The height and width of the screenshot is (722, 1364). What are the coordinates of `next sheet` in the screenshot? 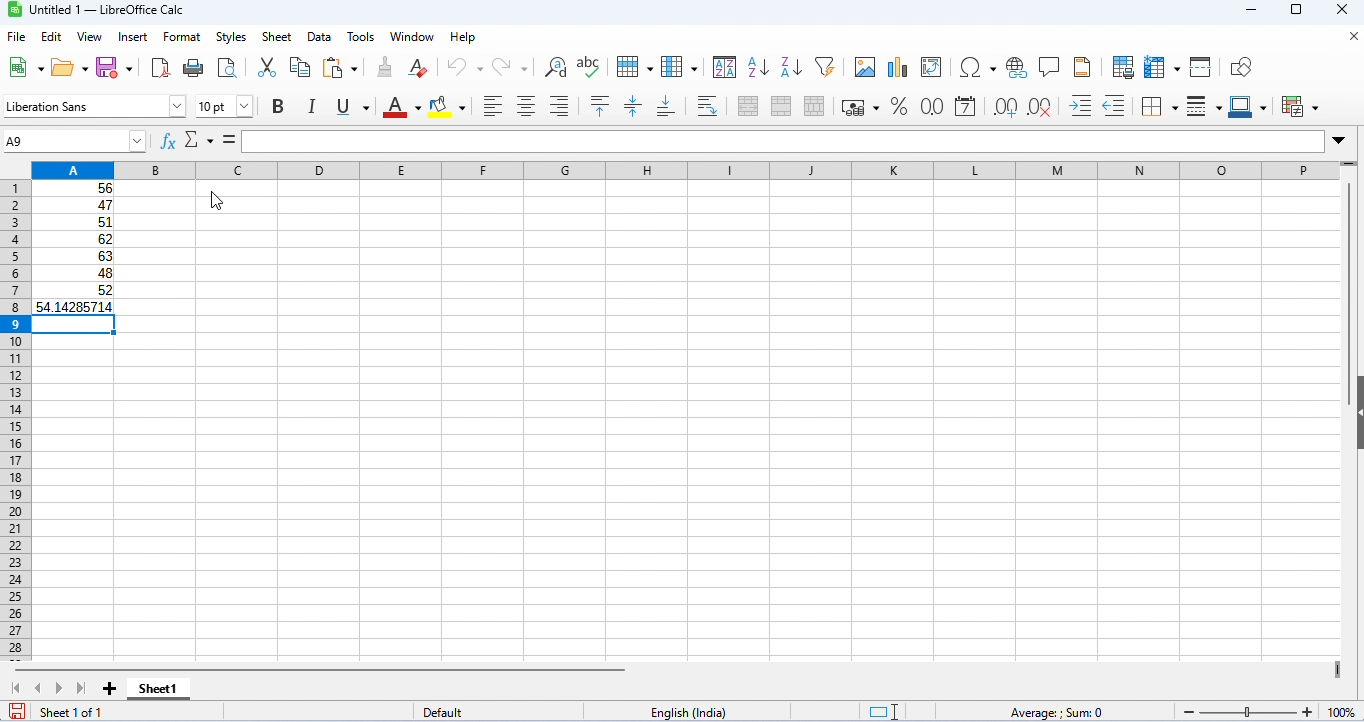 It's located at (60, 690).